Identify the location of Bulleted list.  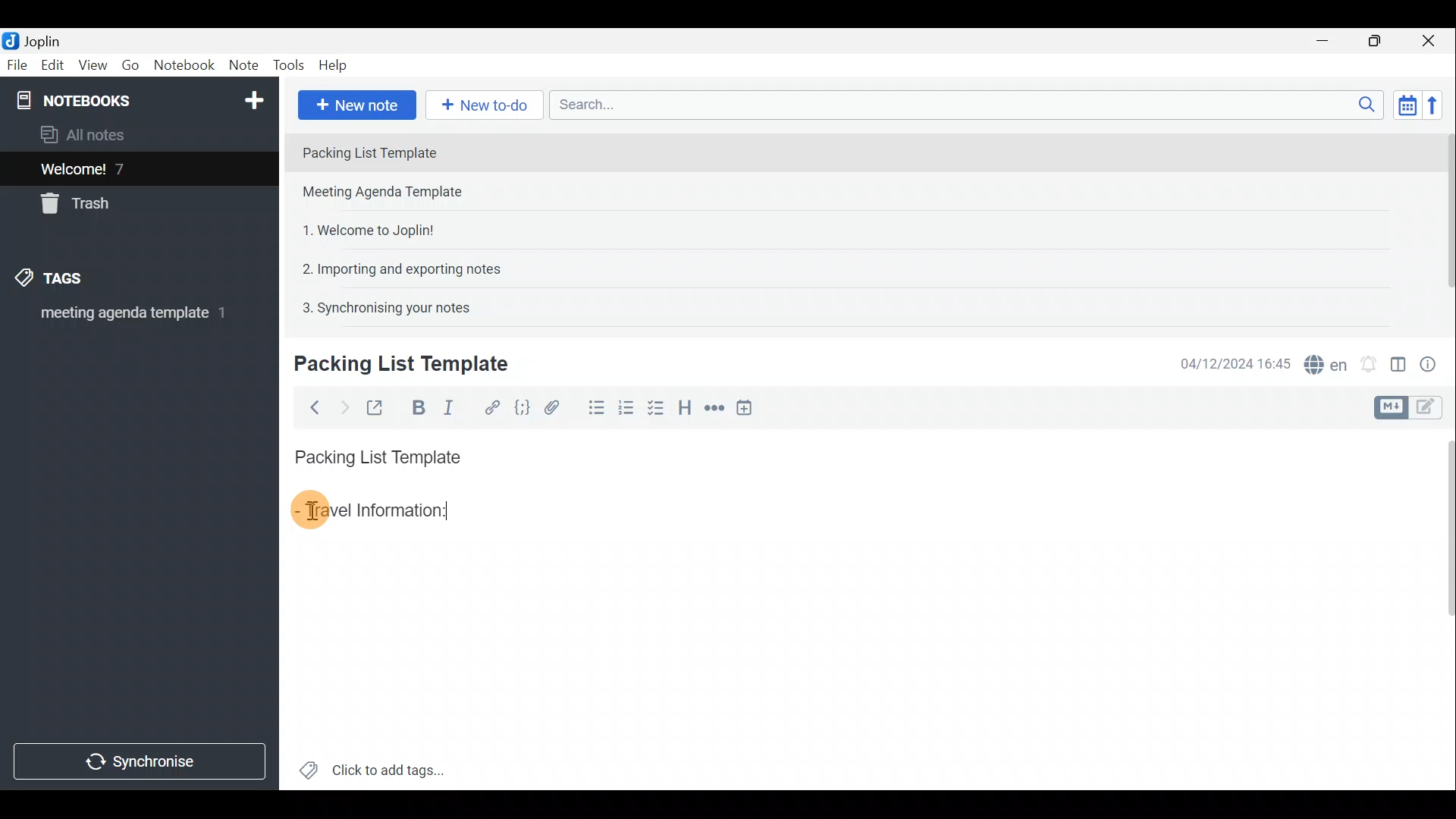
(593, 410).